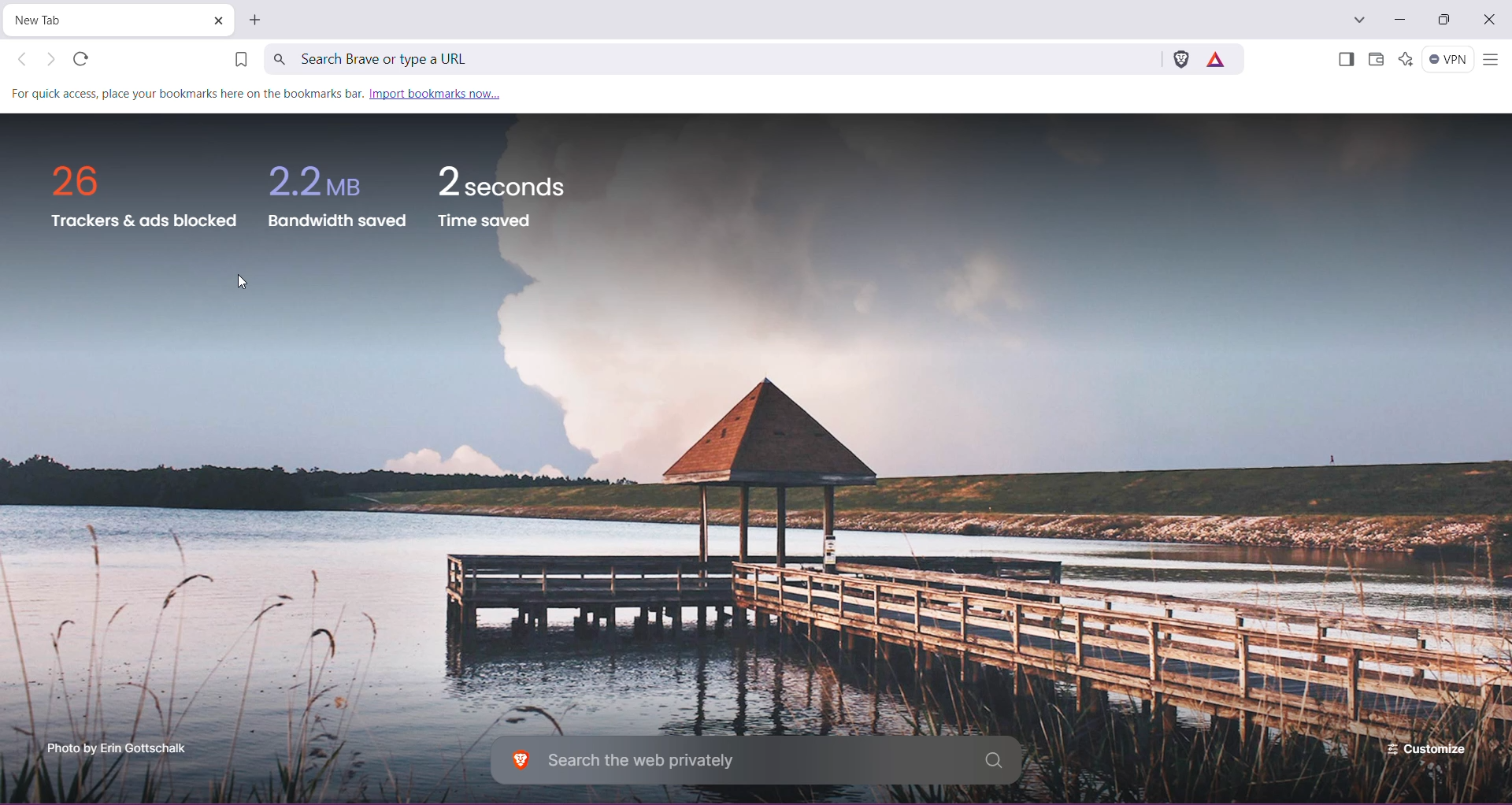 This screenshot has width=1512, height=805. What do you see at coordinates (1345, 60) in the screenshot?
I see `Show Sidebar` at bounding box center [1345, 60].